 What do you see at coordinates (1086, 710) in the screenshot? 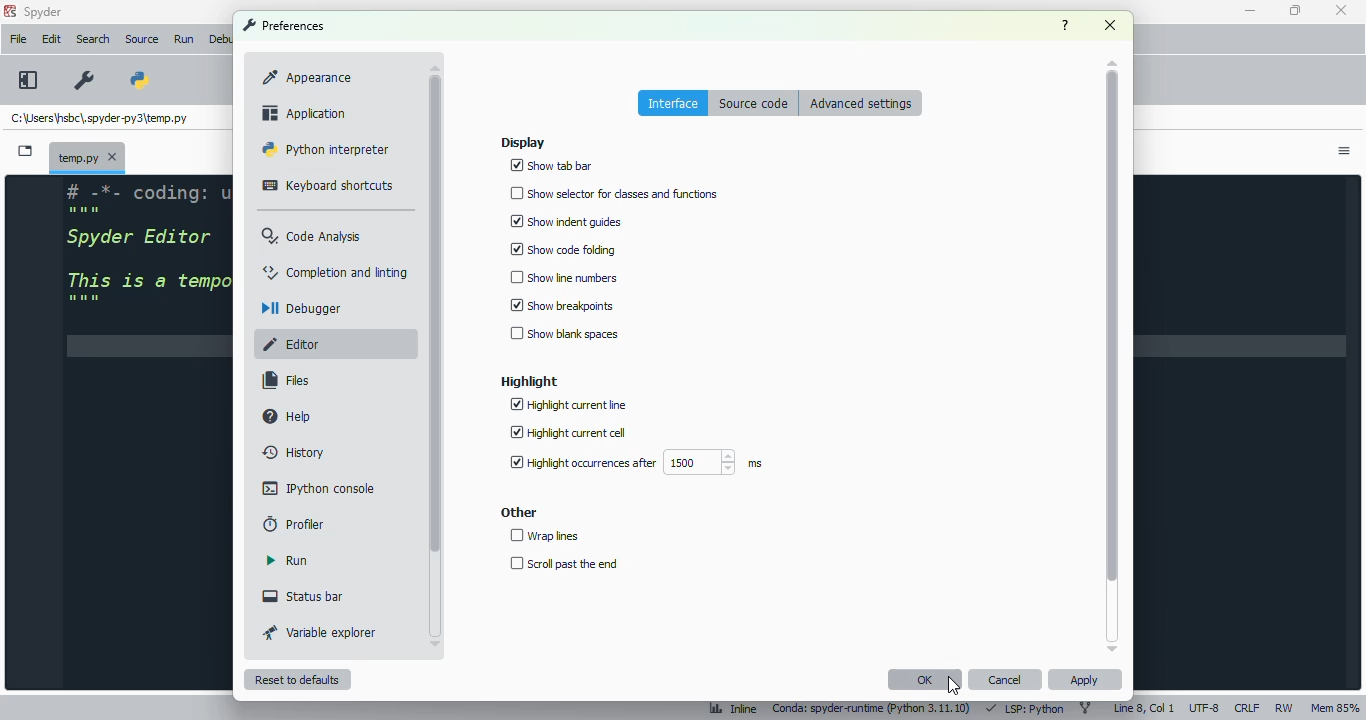
I see `git branch` at bounding box center [1086, 710].